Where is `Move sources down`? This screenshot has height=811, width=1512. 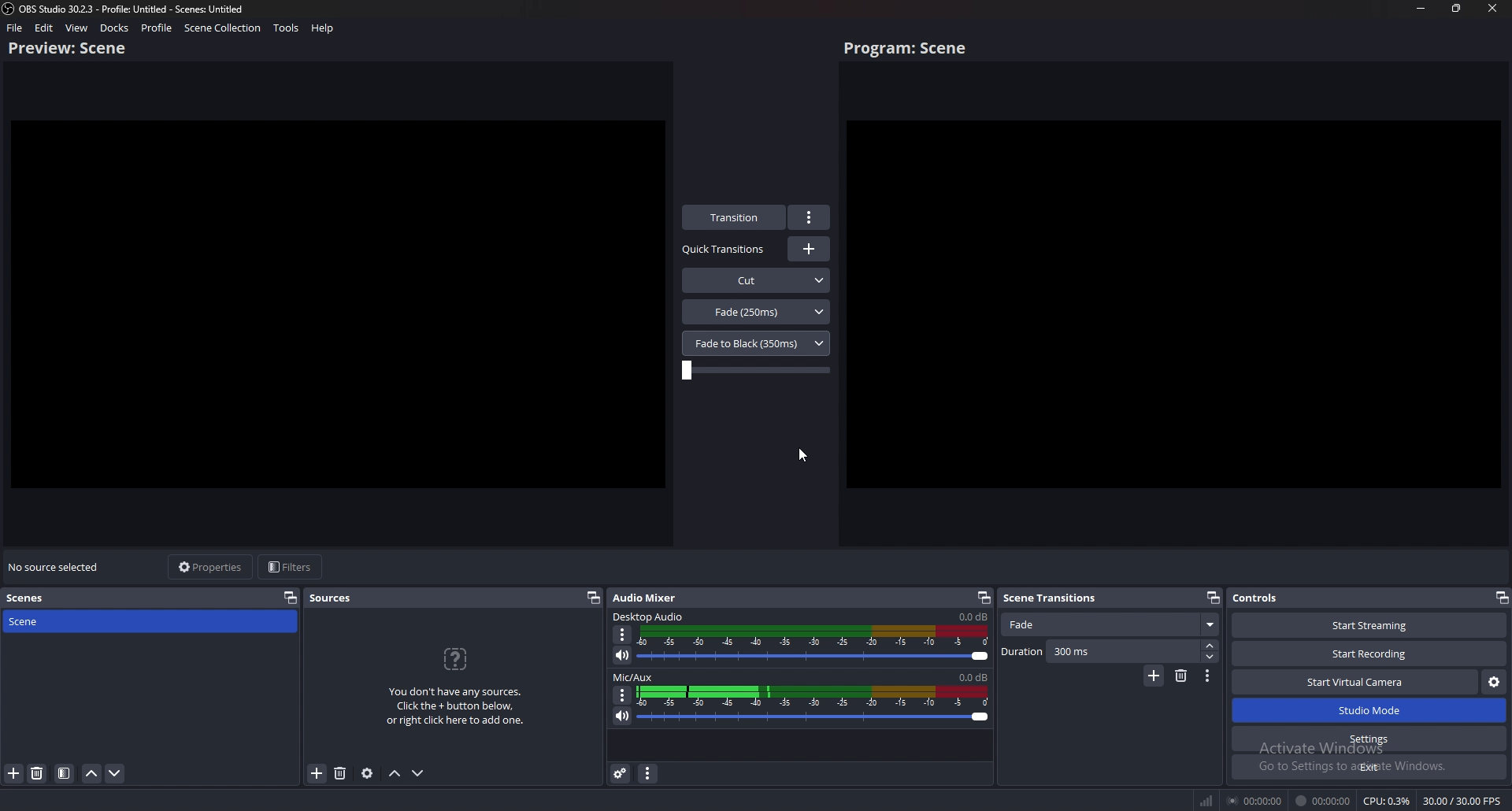
Move sources down is located at coordinates (421, 772).